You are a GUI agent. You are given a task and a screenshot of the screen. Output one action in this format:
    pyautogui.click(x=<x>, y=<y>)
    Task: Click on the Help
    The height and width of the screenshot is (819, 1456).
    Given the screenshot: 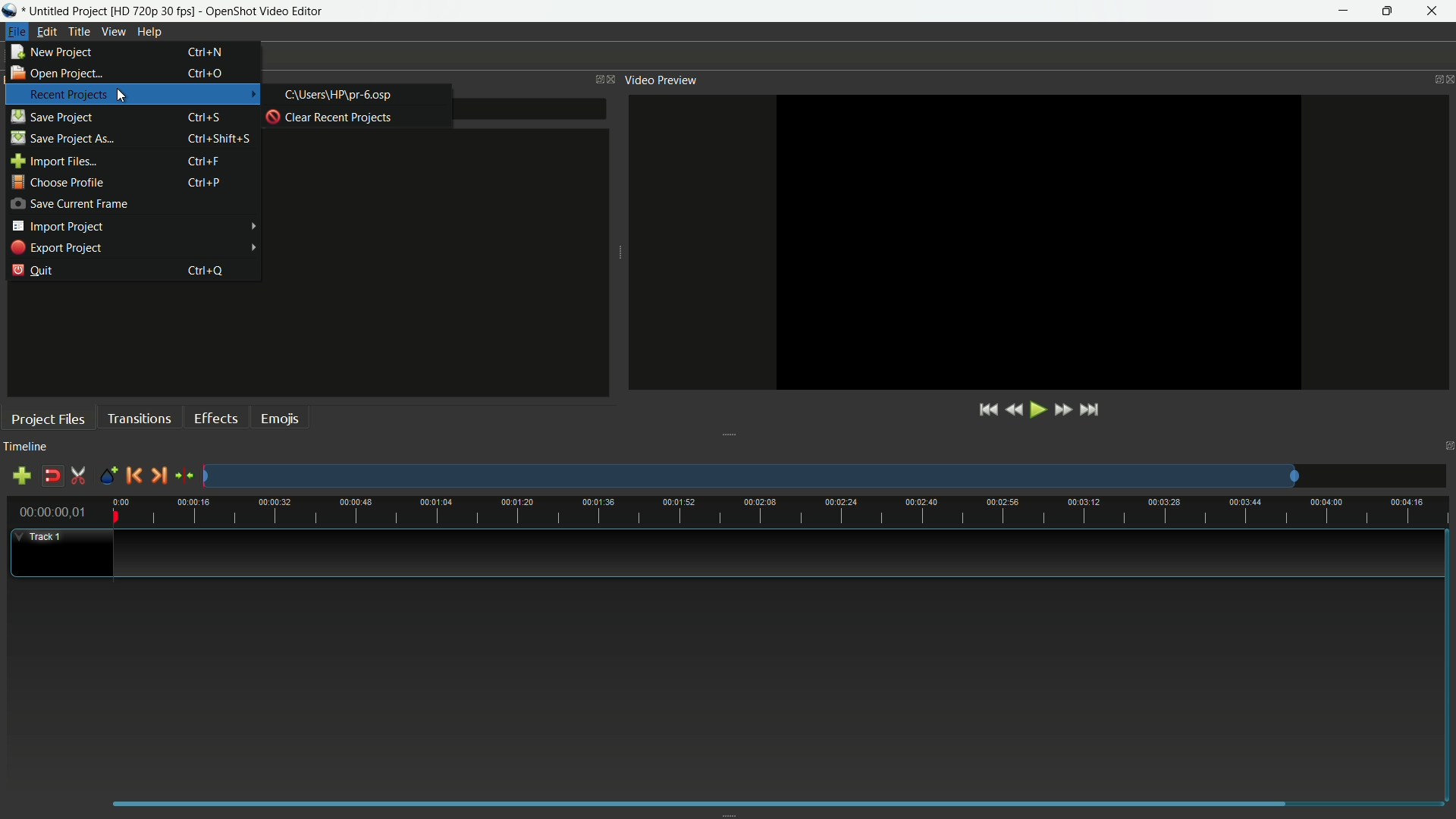 What is the action you would take?
    pyautogui.click(x=151, y=32)
    